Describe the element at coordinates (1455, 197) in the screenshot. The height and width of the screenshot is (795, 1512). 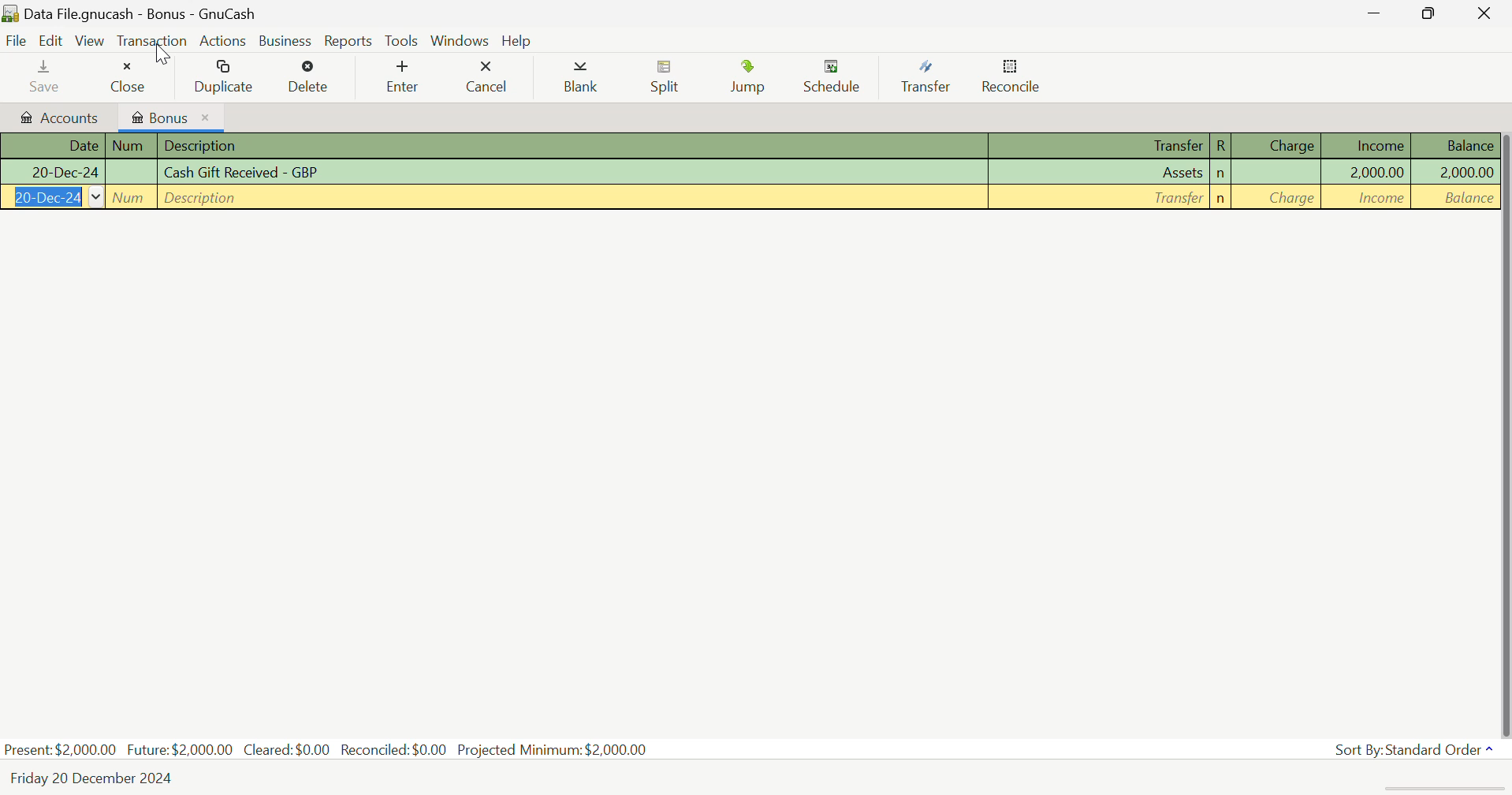
I see `Balance` at that location.